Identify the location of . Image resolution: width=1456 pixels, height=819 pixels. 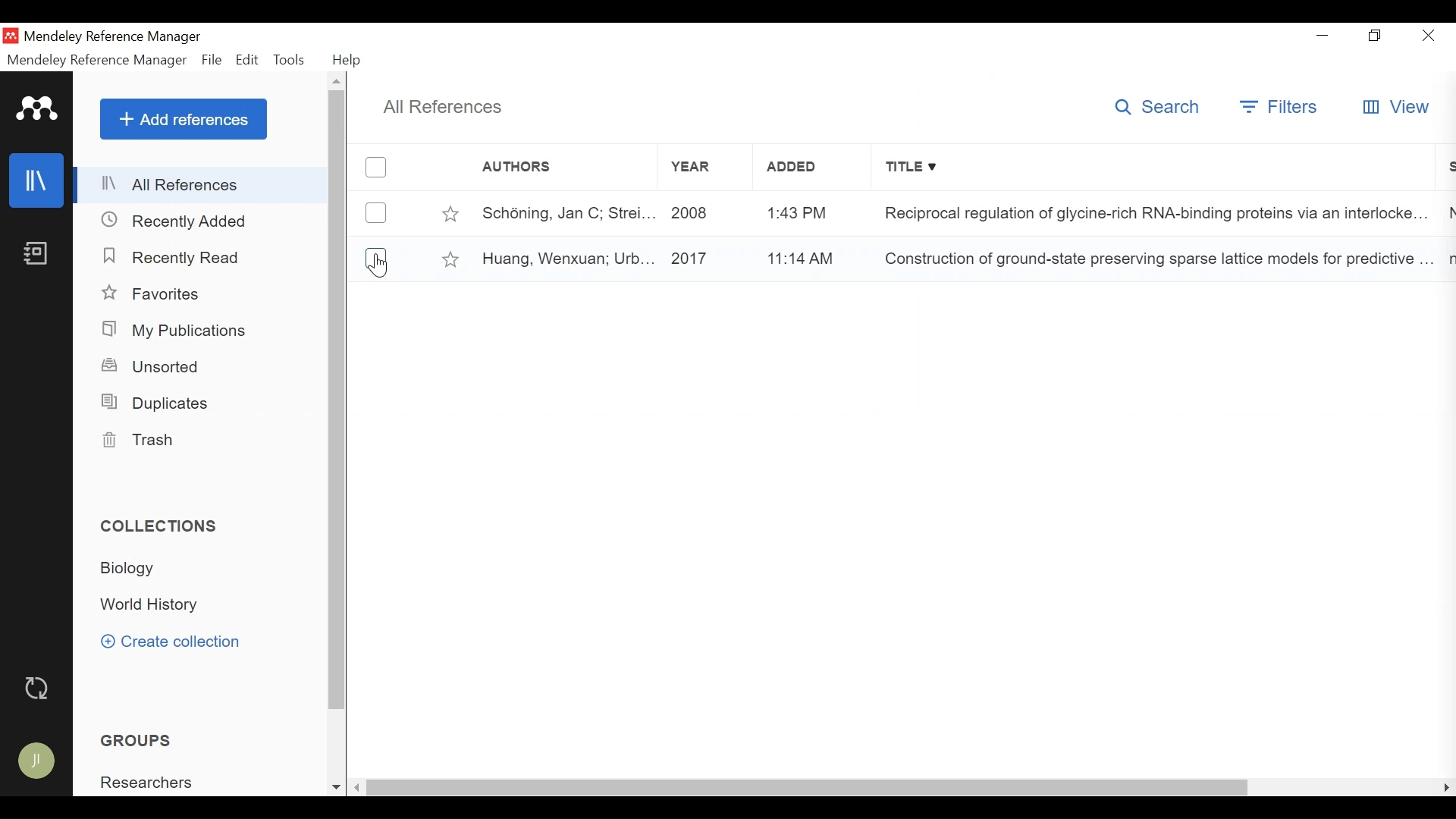
(338, 81).